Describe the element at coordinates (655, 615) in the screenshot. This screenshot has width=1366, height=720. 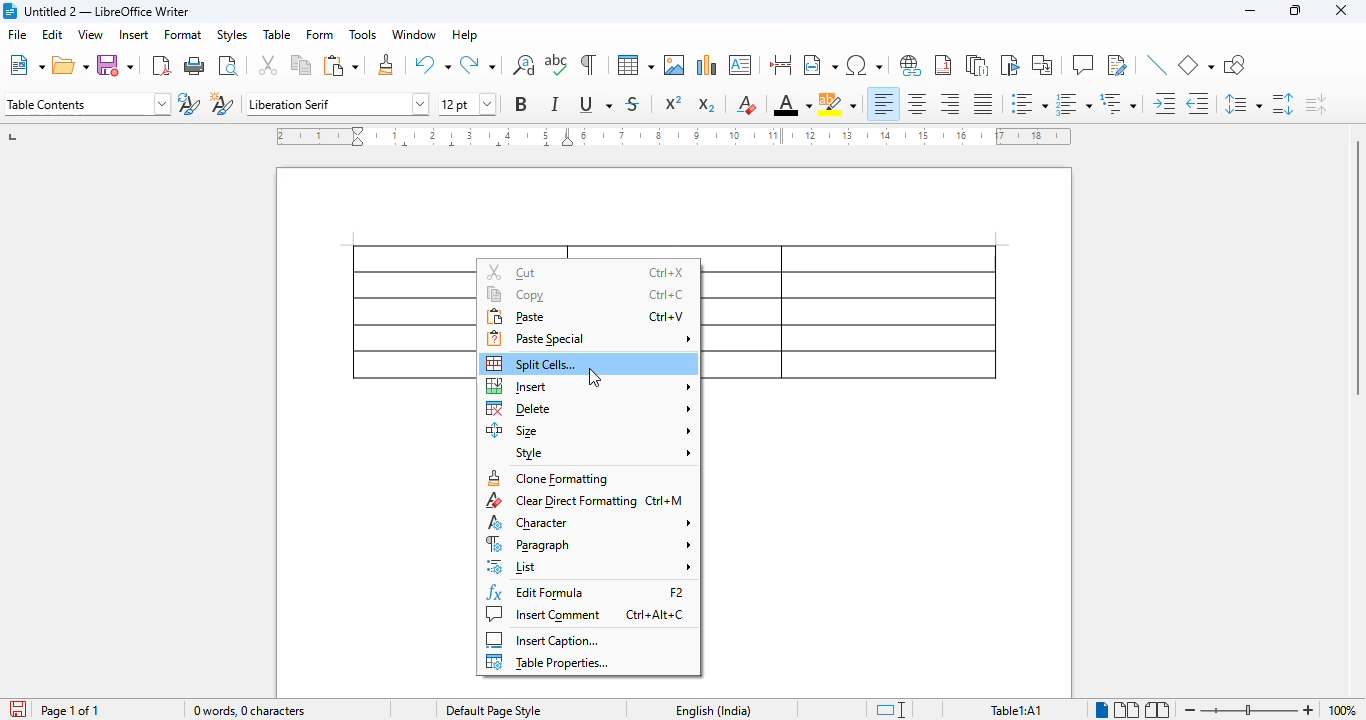
I see `shortcut for insert comment` at that location.